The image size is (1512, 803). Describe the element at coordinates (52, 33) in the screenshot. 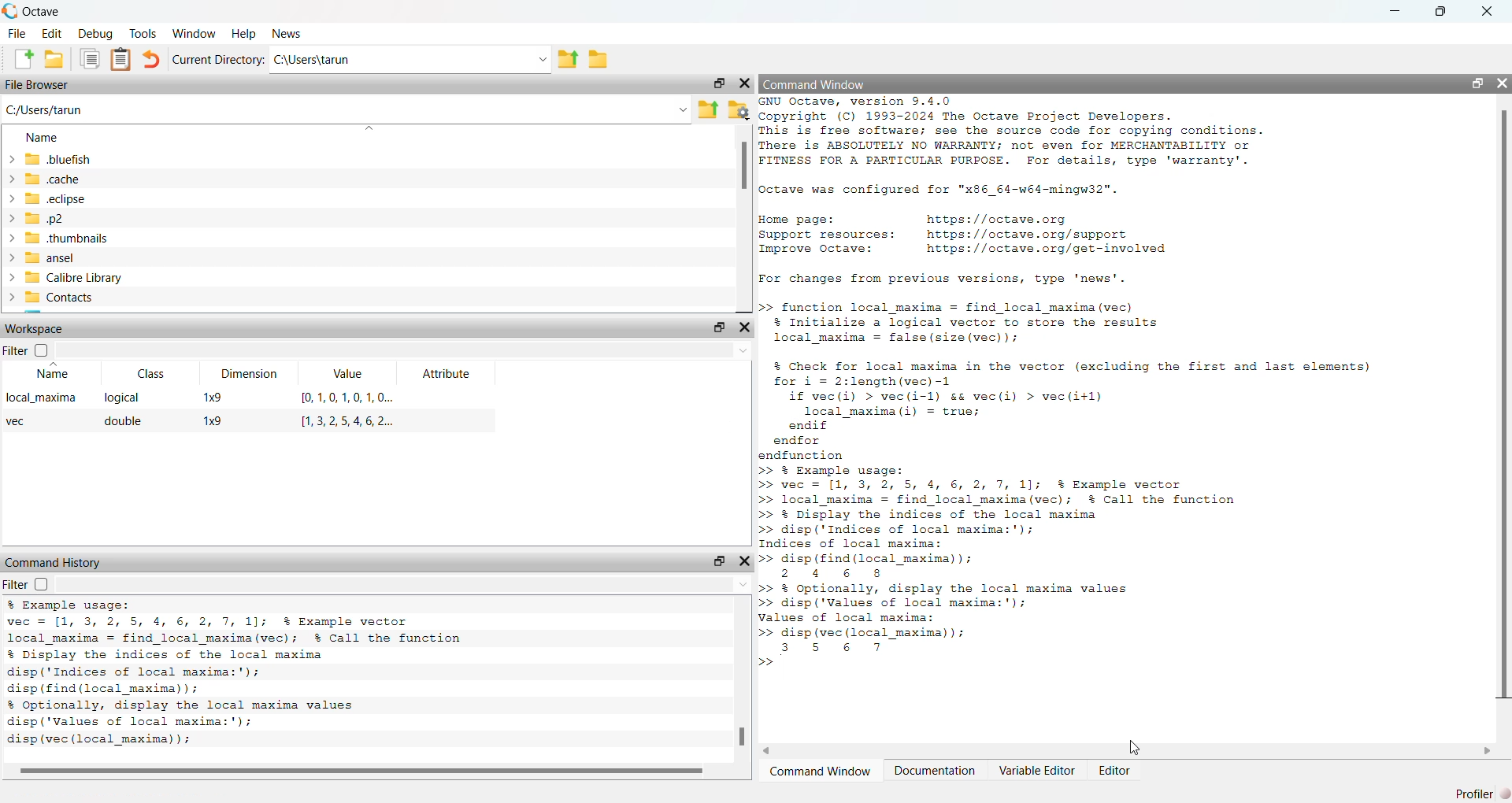

I see `Edit` at that location.